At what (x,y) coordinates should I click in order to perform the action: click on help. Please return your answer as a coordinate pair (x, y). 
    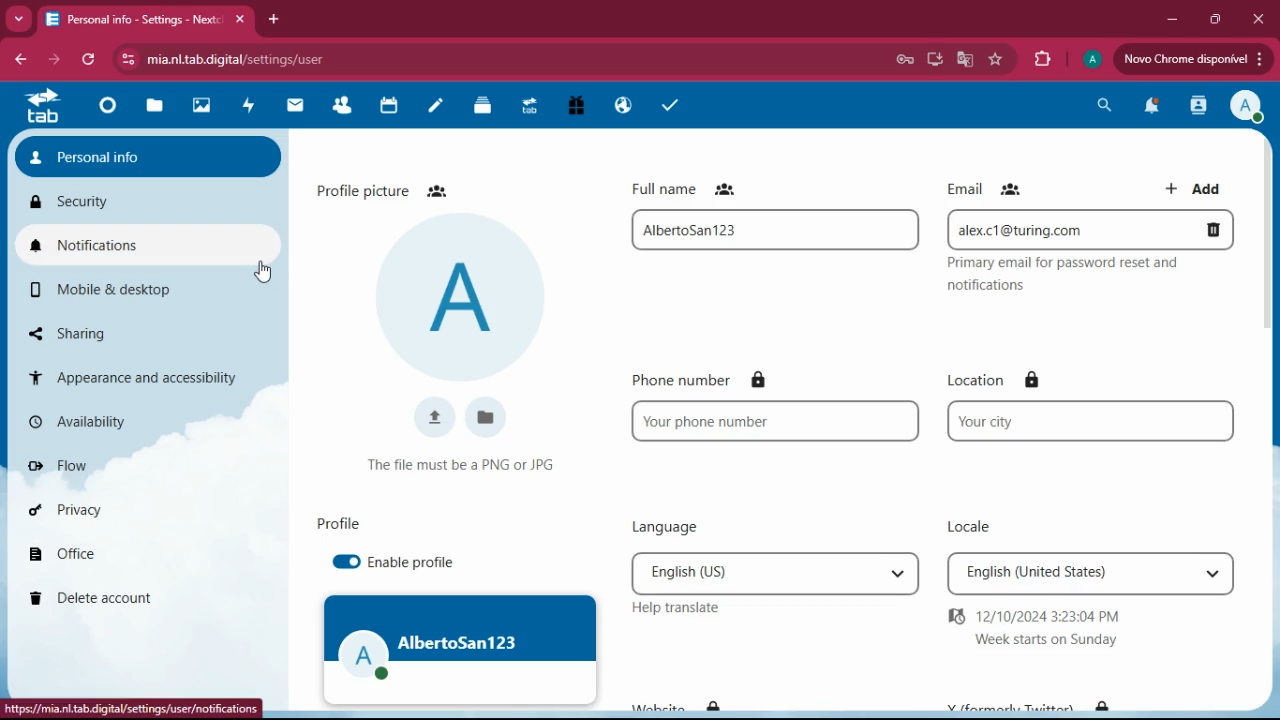
    Looking at the image, I should click on (673, 608).